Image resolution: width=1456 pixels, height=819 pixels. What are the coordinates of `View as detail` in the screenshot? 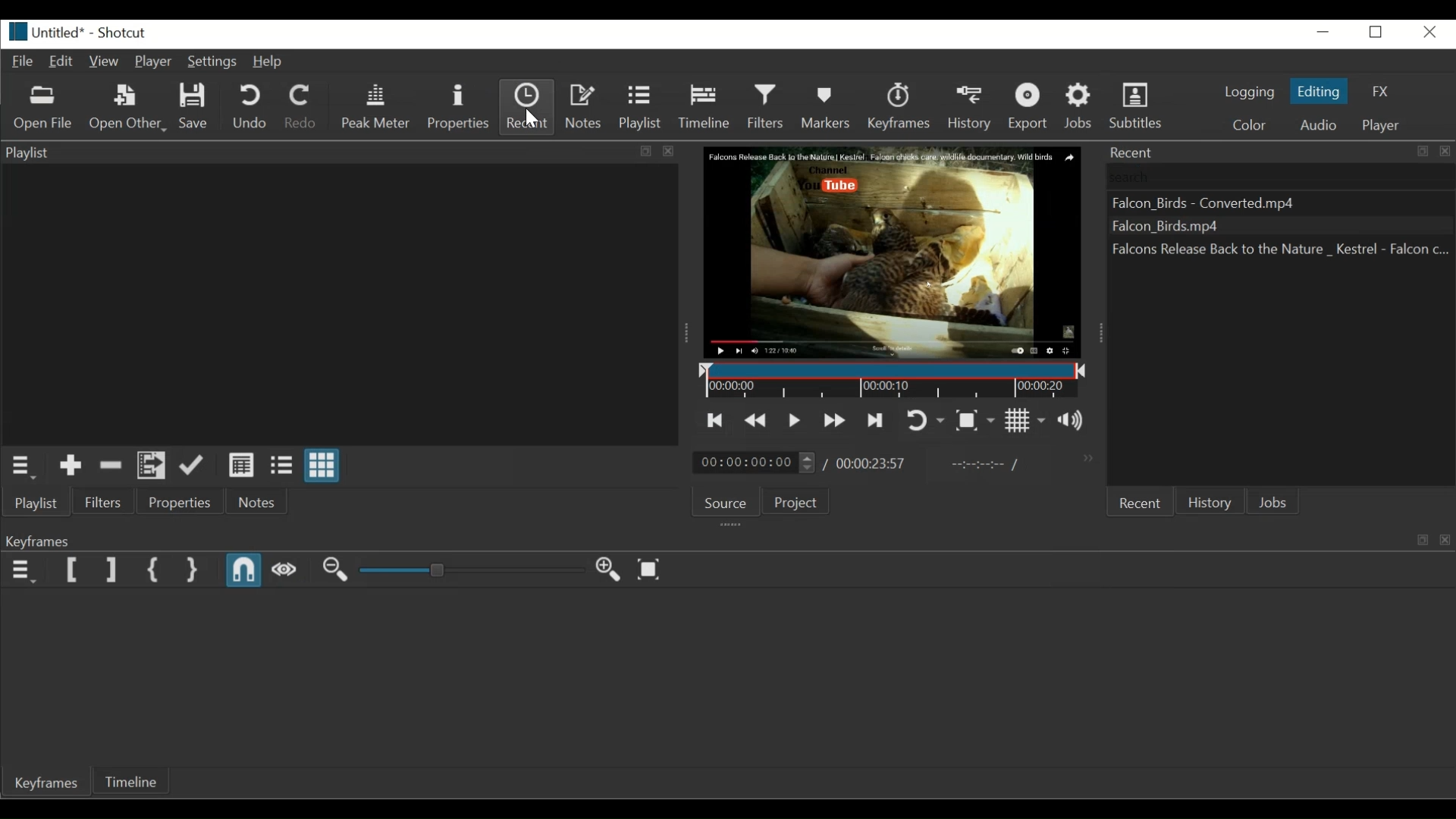 It's located at (242, 466).